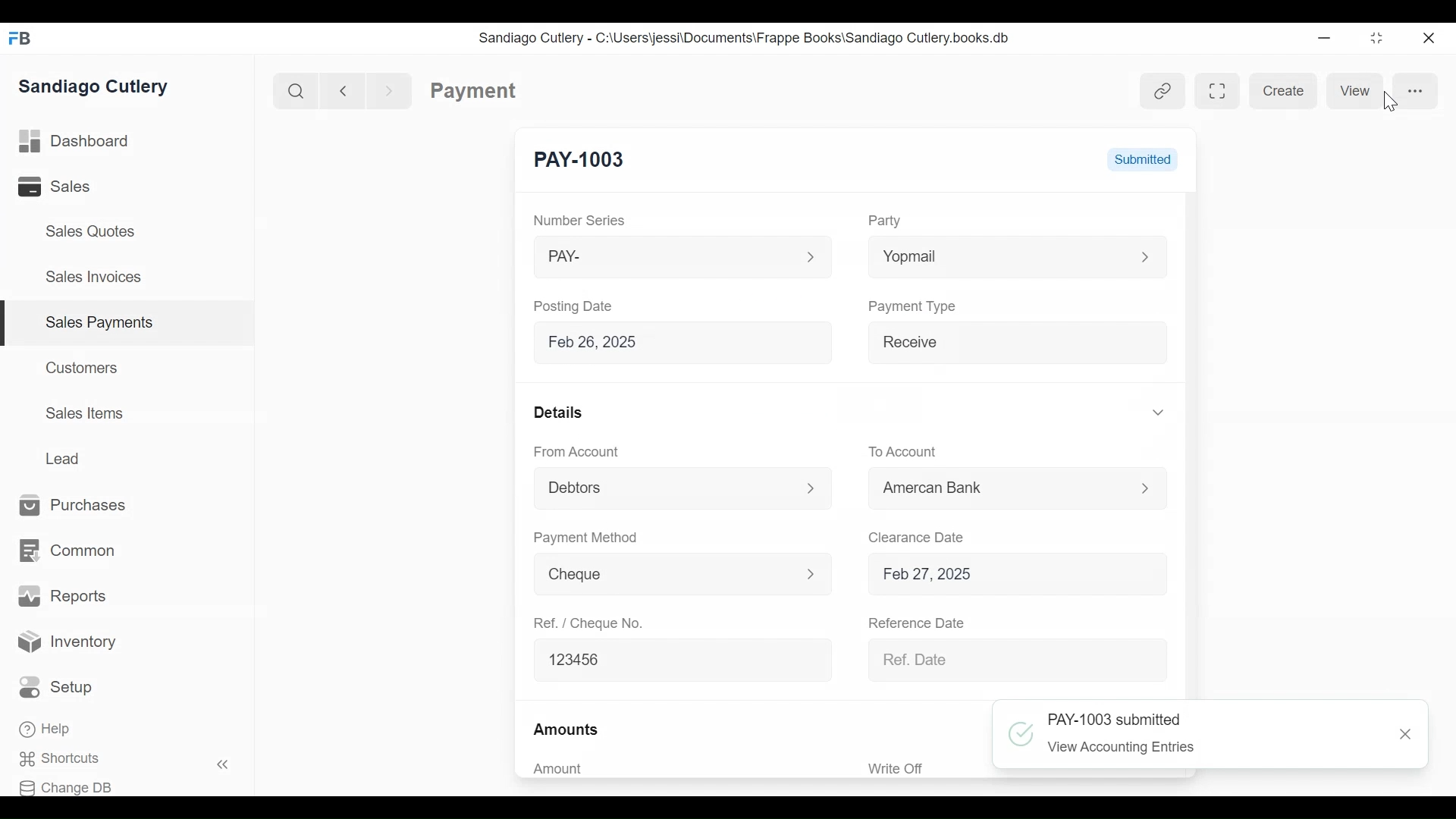  I want to click on PAY-, so click(661, 257).